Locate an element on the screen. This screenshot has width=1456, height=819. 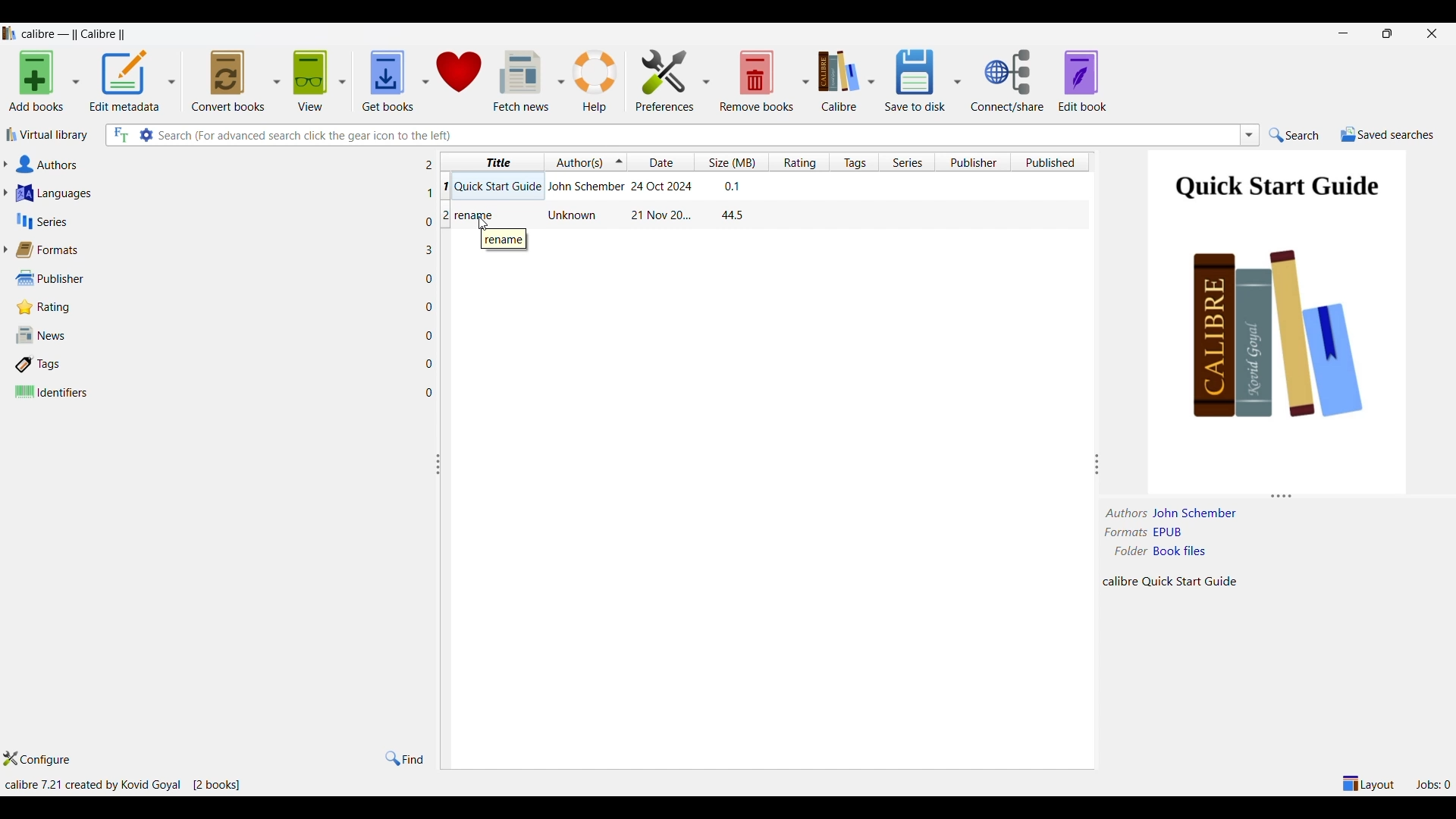
EPUB is located at coordinates (1170, 532).